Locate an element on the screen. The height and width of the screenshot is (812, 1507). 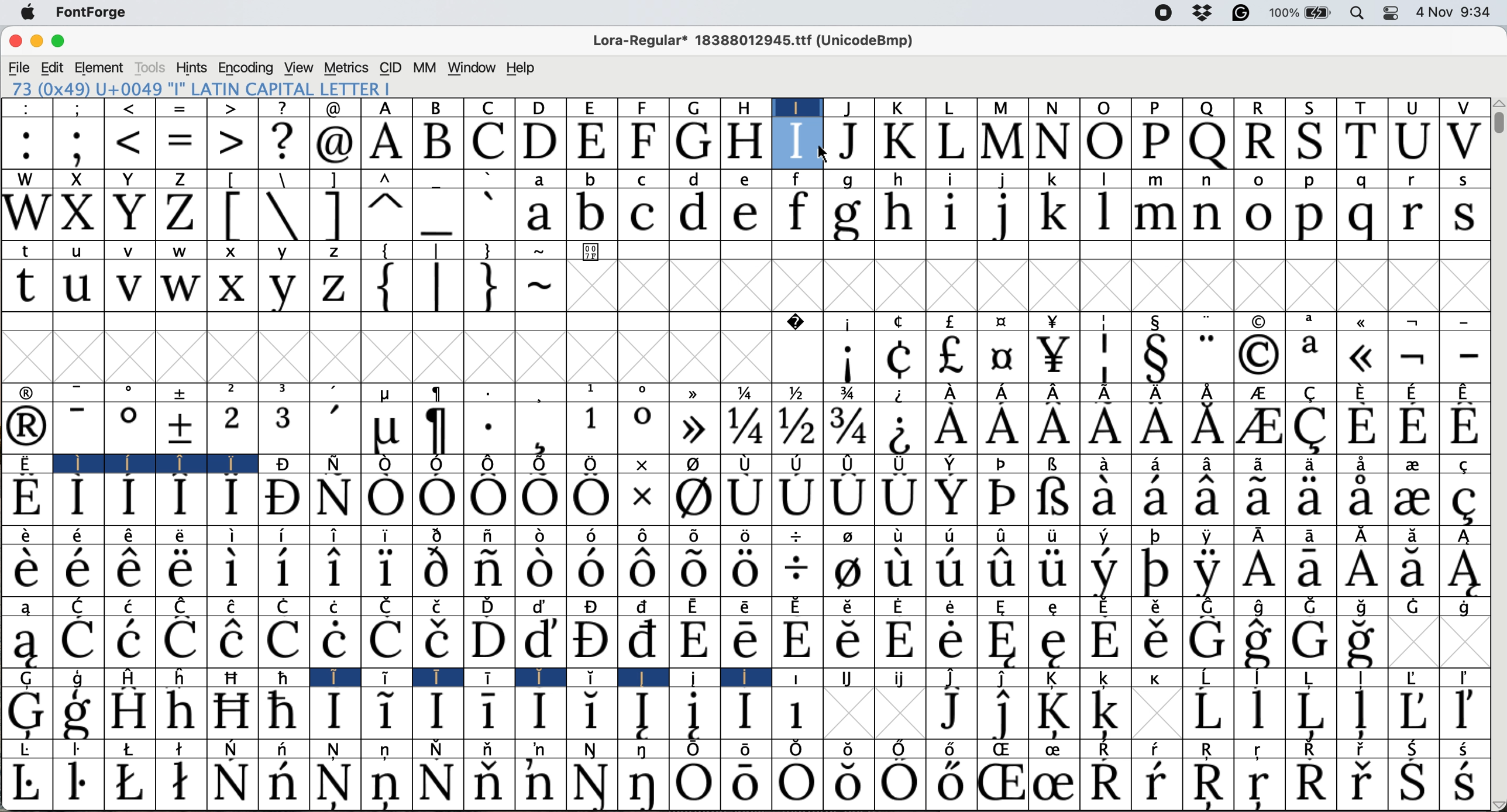
symbol is located at coordinates (1160, 391).